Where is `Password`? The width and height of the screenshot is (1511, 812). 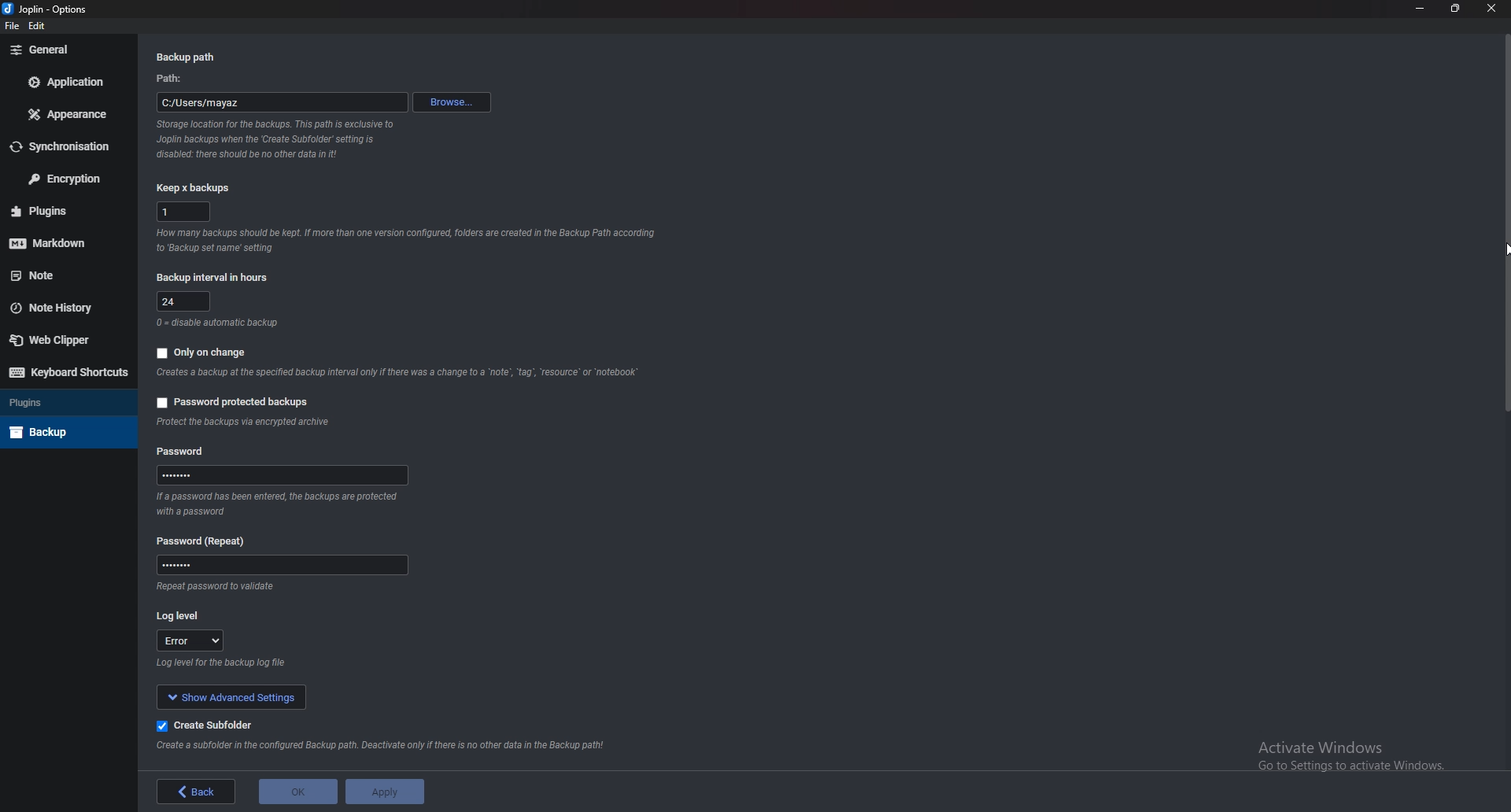
Password is located at coordinates (283, 475).